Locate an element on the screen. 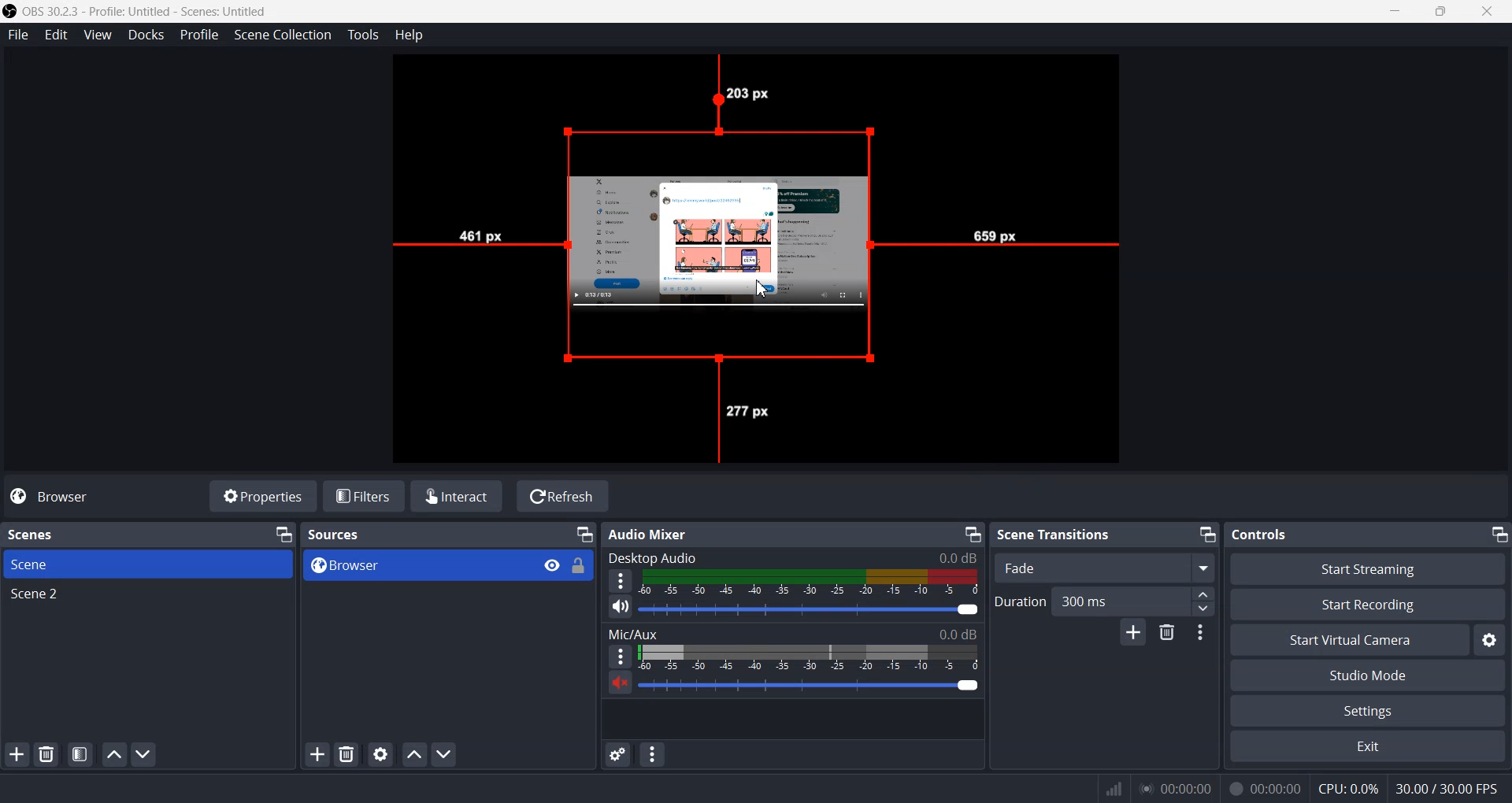 The width and height of the screenshot is (1512, 803). Minimize is located at coordinates (973, 534).